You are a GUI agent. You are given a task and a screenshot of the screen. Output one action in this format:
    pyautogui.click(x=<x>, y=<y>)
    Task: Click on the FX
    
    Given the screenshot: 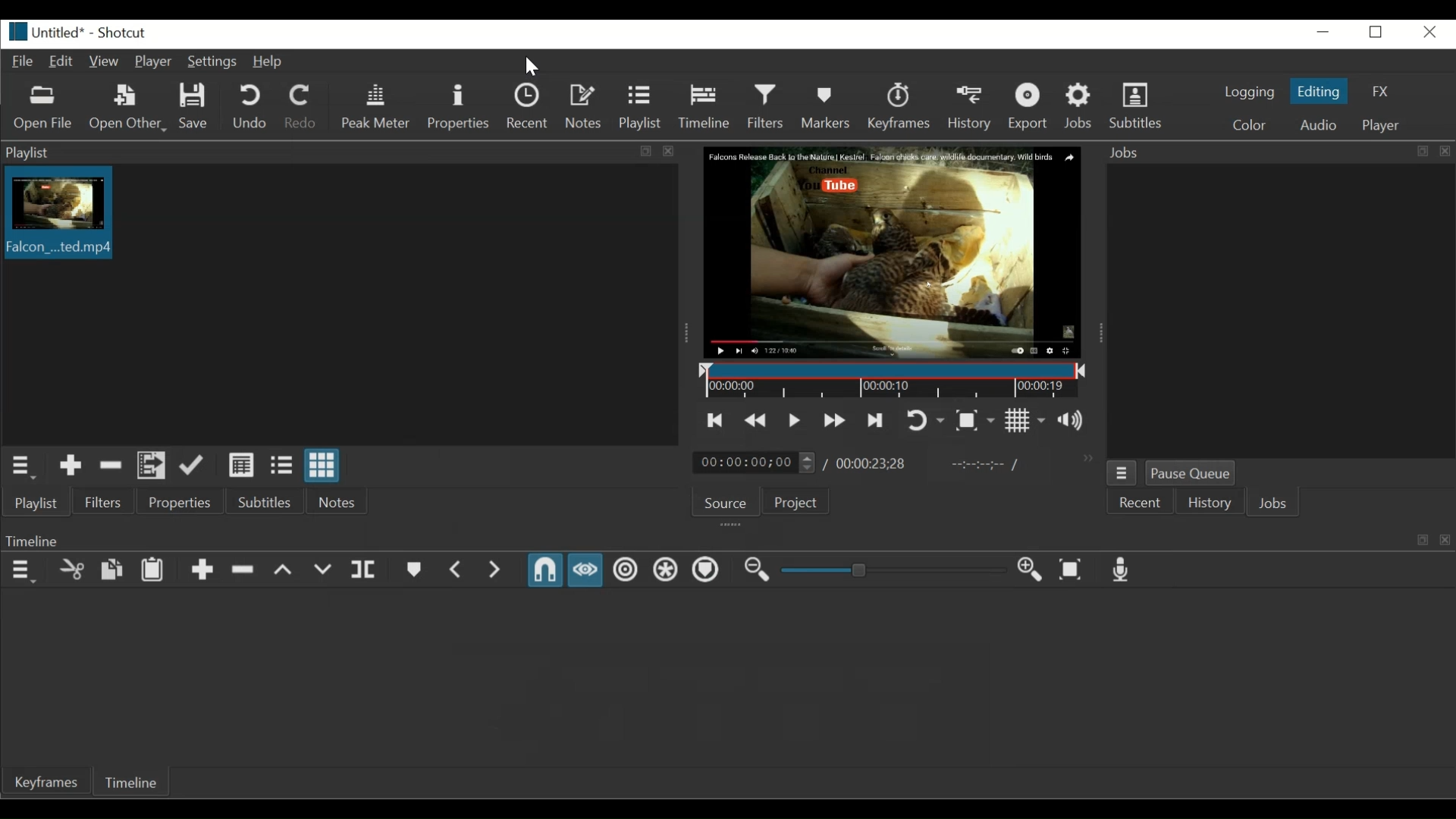 What is the action you would take?
    pyautogui.click(x=1381, y=91)
    